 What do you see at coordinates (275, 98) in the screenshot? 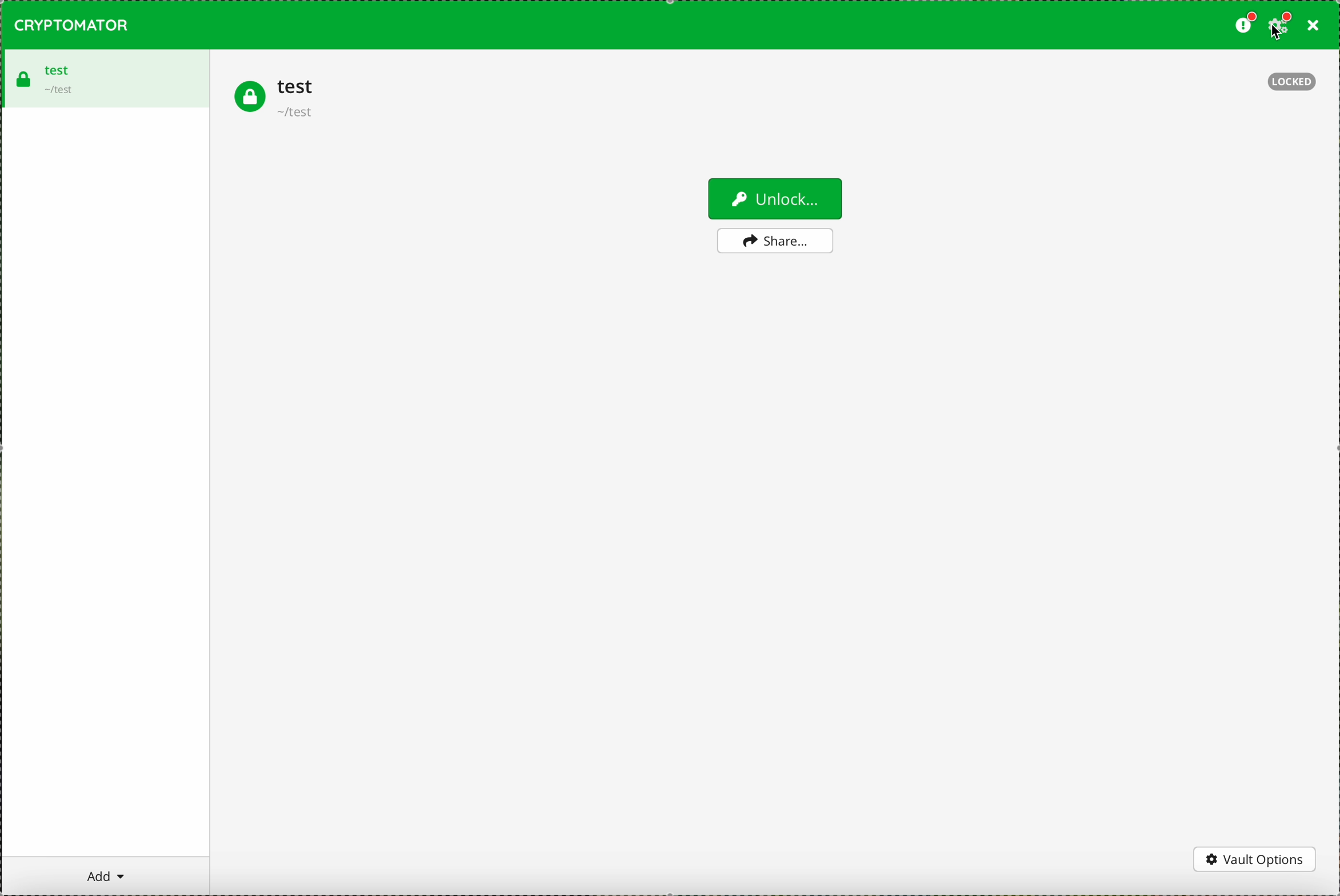
I see `test vault` at bounding box center [275, 98].